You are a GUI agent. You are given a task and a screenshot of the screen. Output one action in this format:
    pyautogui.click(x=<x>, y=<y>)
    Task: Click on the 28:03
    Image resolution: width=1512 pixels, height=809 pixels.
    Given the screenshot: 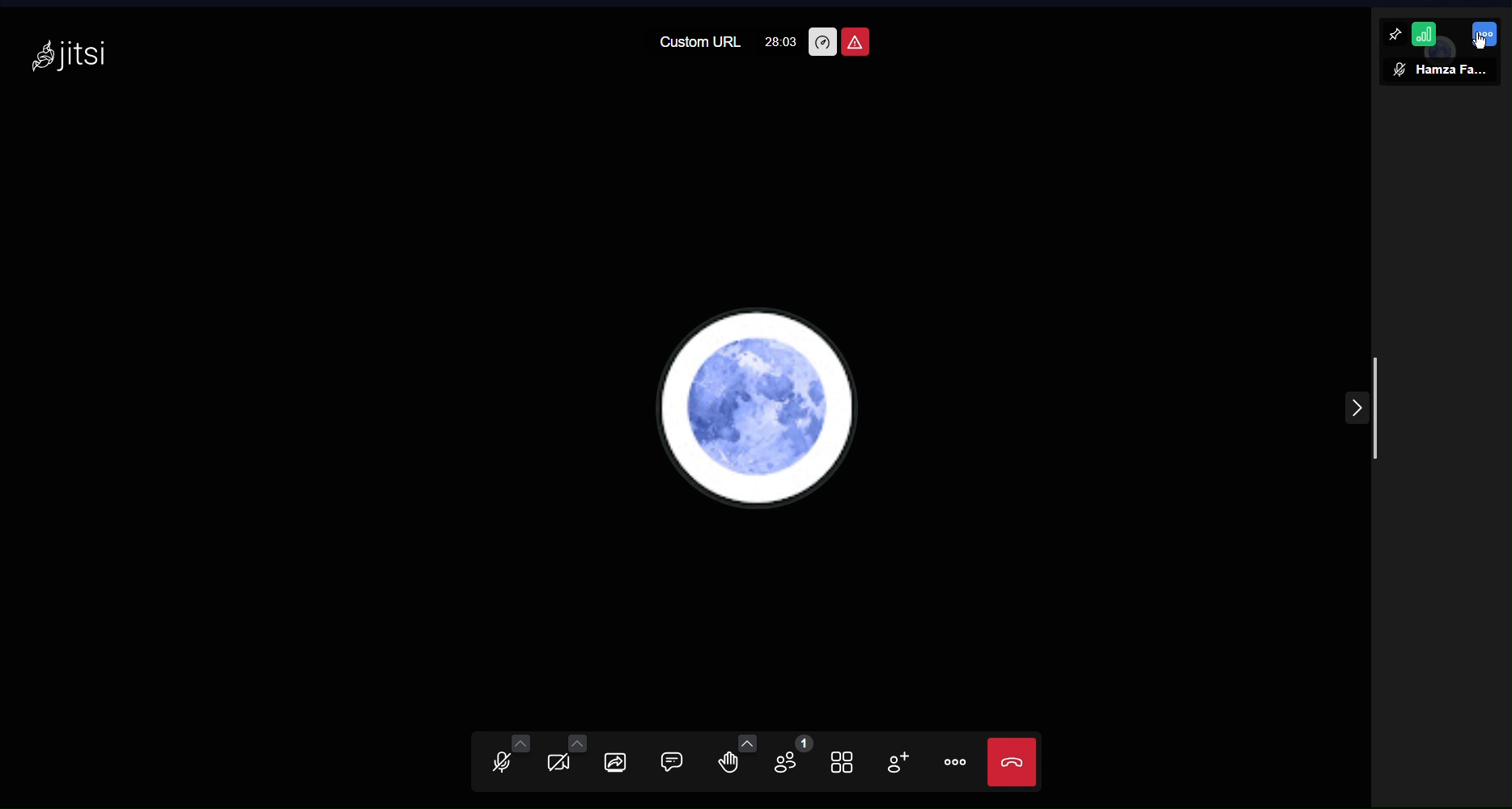 What is the action you would take?
    pyautogui.click(x=782, y=42)
    